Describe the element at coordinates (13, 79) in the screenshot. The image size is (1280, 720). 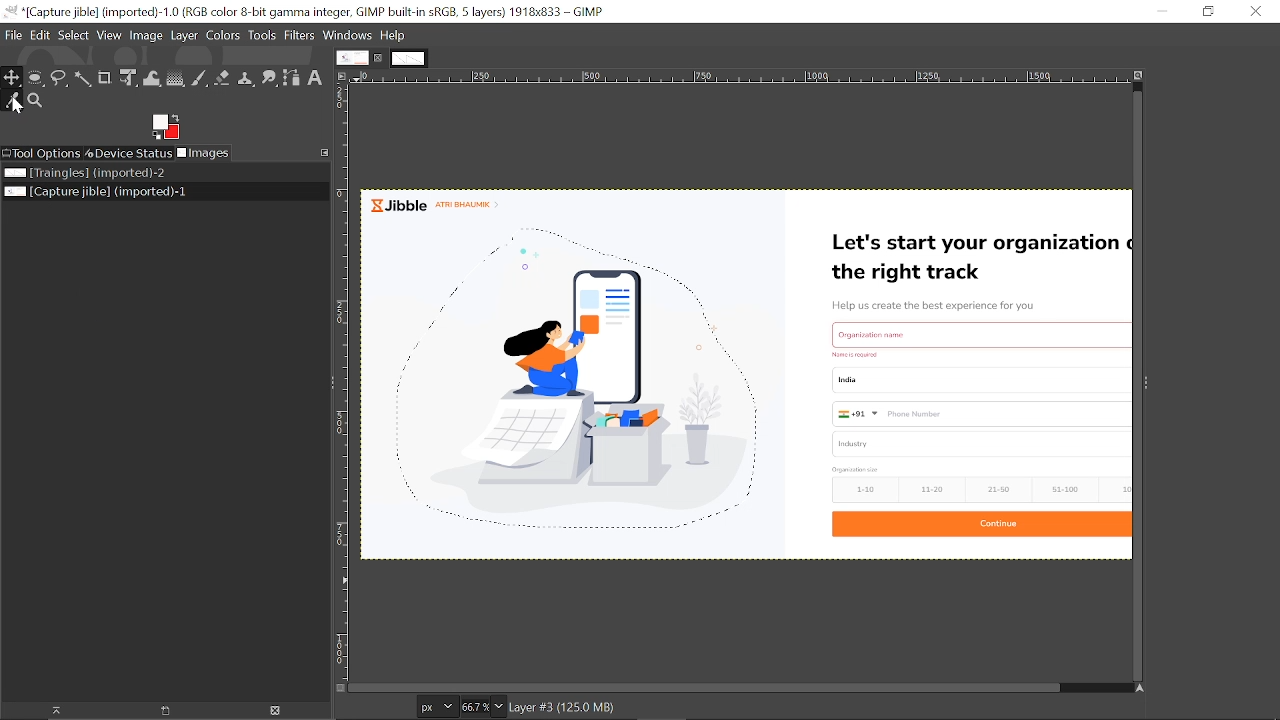
I see `Move tool` at that location.